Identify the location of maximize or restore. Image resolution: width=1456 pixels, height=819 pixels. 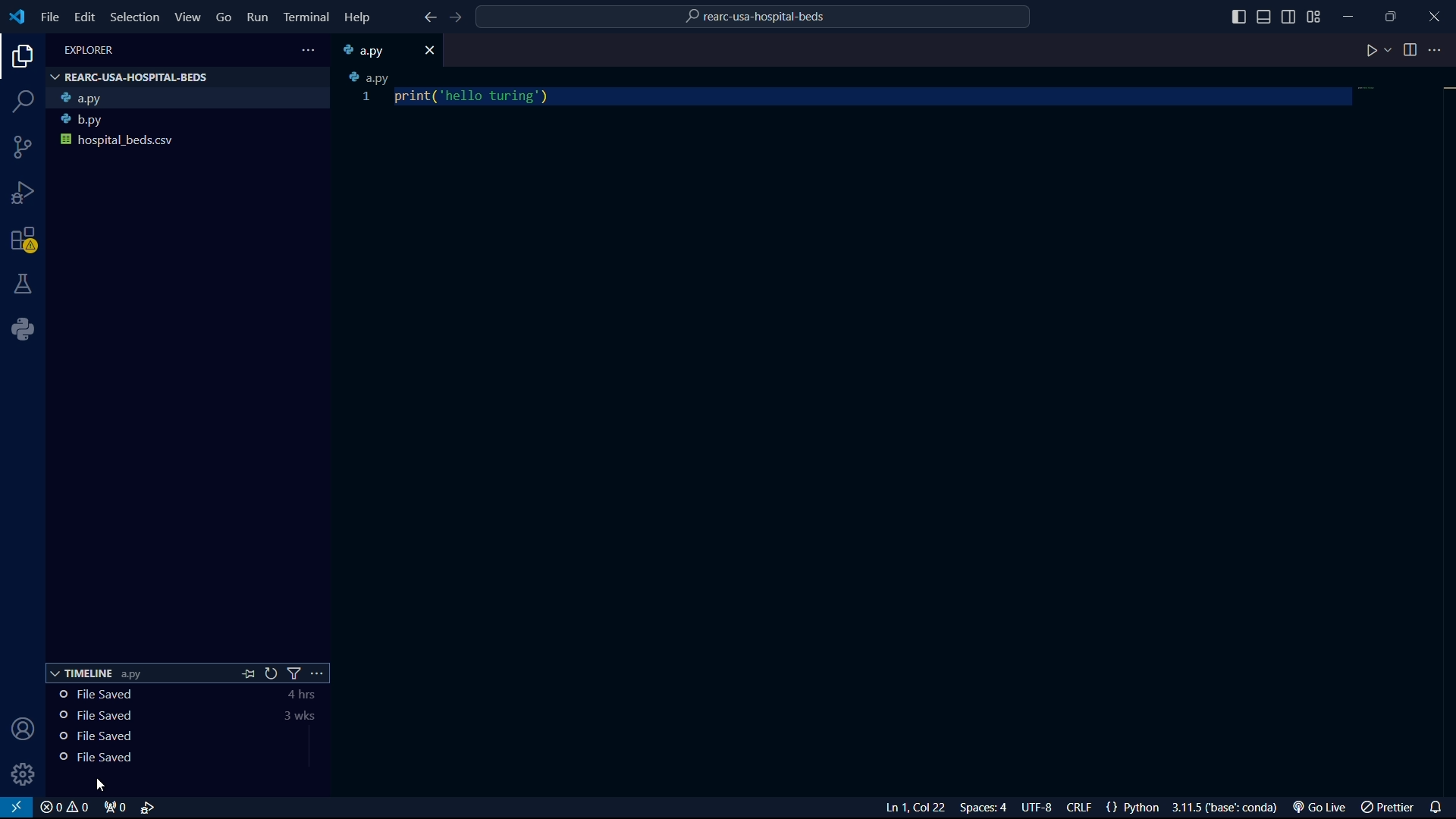
(1390, 14).